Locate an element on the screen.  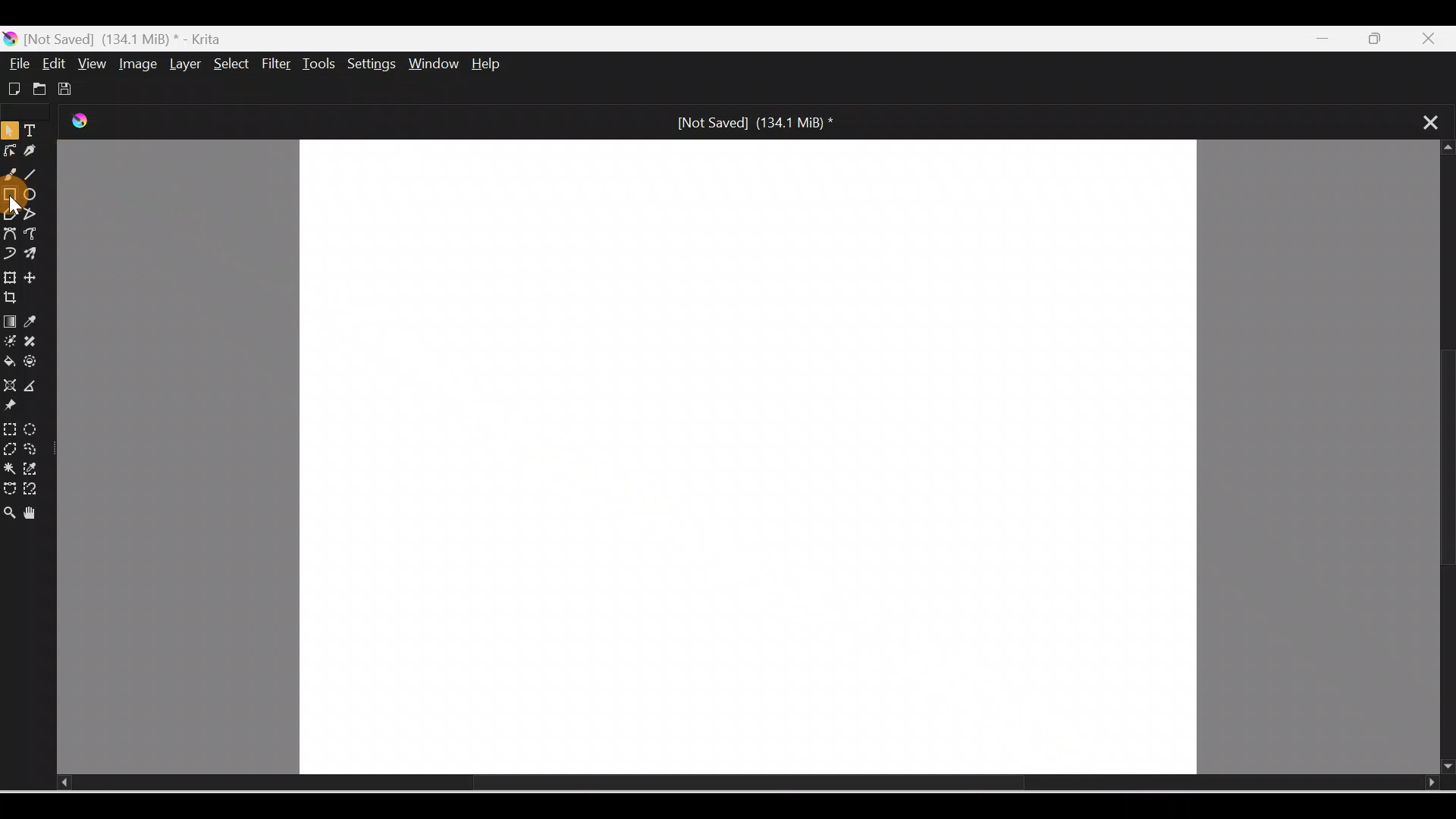
Pan tool is located at coordinates (33, 510).